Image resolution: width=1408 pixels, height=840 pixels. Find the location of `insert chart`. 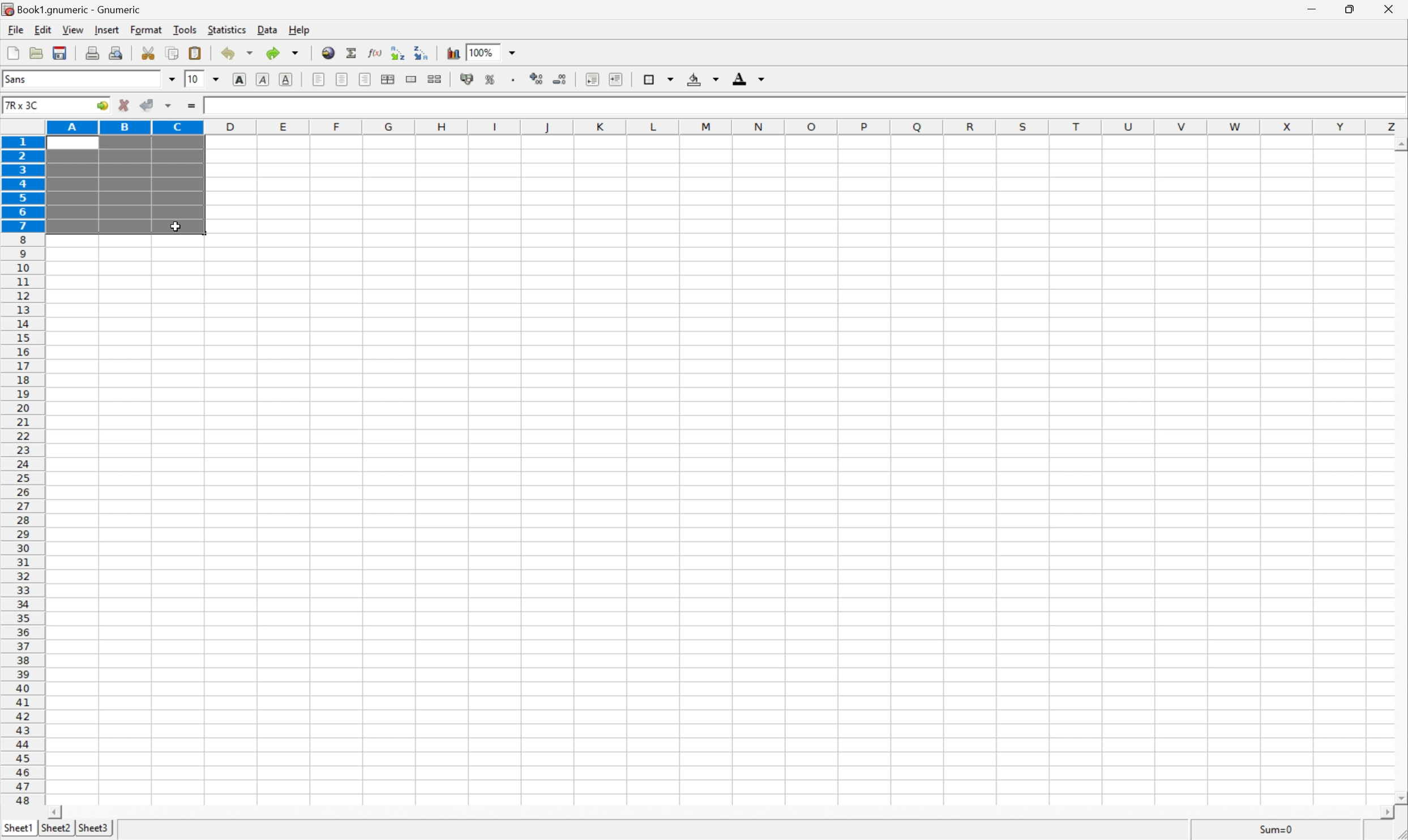

insert chart is located at coordinates (452, 52).